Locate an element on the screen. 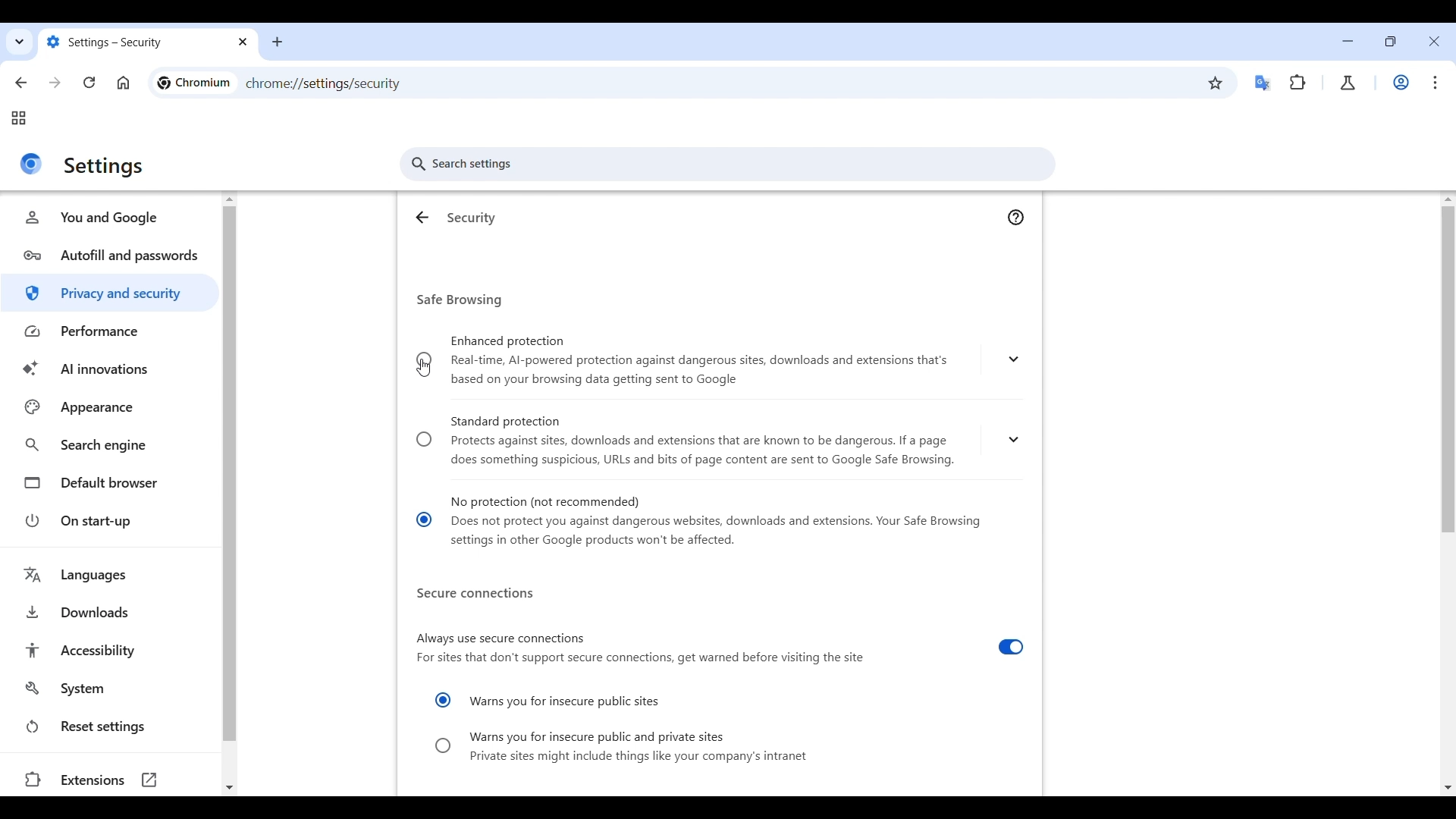  Quick slide to top is located at coordinates (1448, 199).